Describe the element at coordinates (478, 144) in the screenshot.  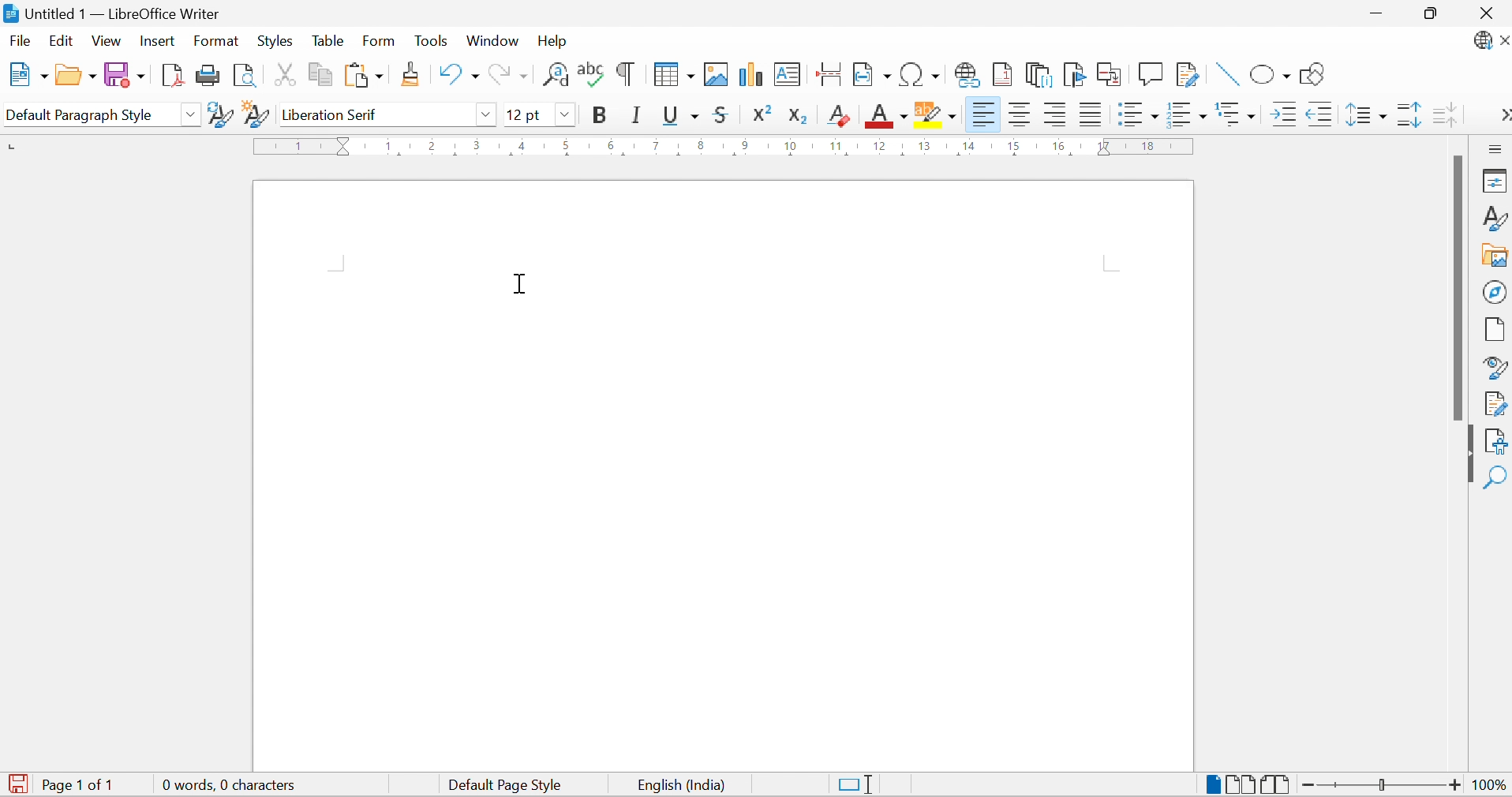
I see `3` at that location.